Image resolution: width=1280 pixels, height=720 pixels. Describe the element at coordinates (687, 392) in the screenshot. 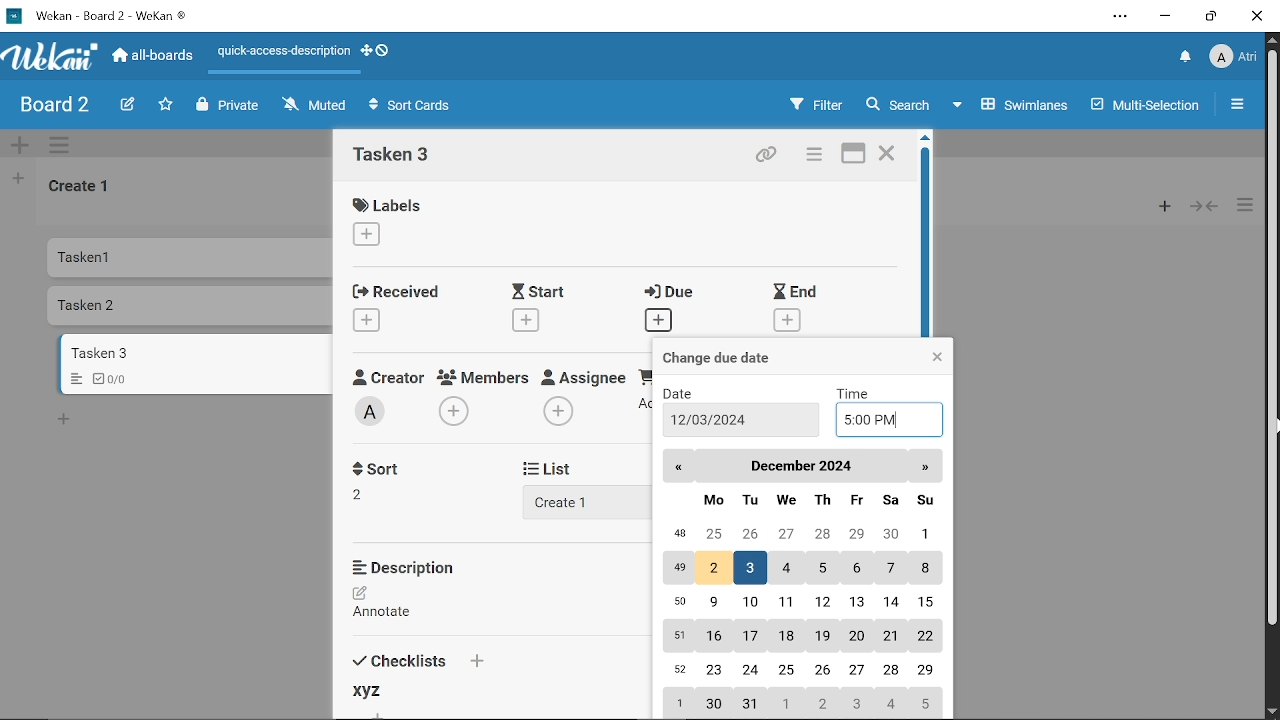

I see `Date` at that location.